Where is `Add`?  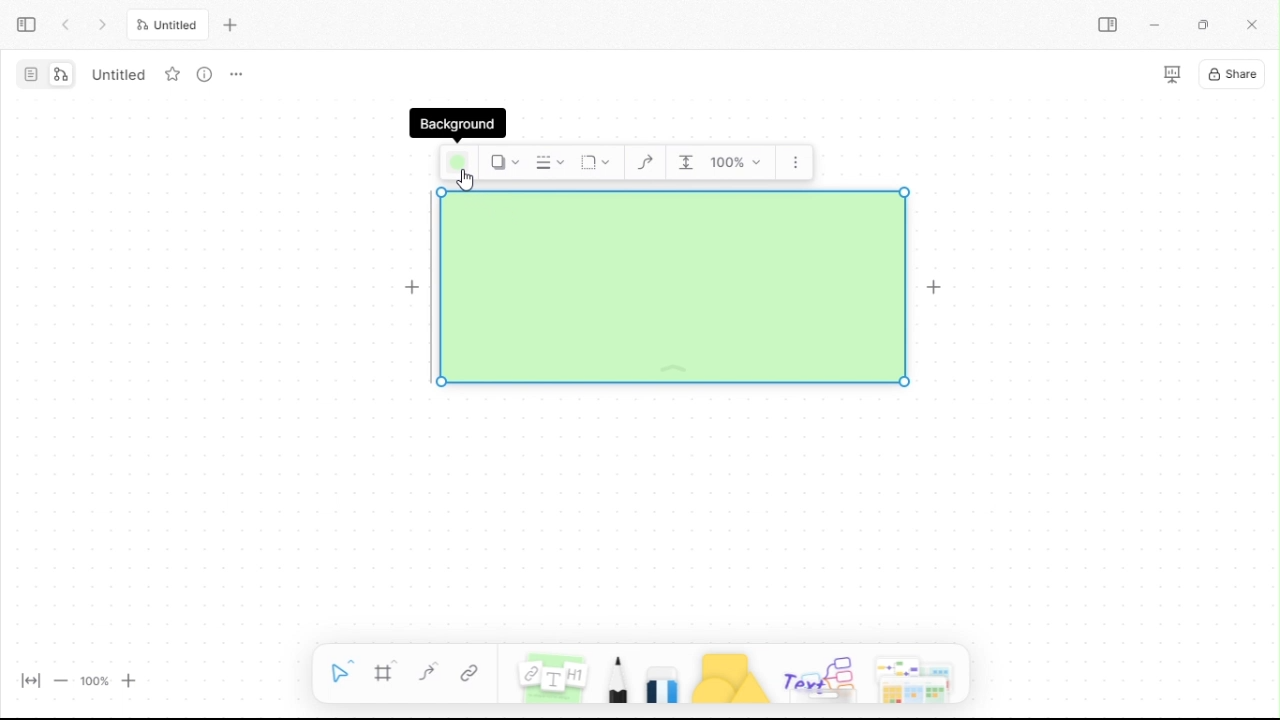
Add is located at coordinates (939, 289).